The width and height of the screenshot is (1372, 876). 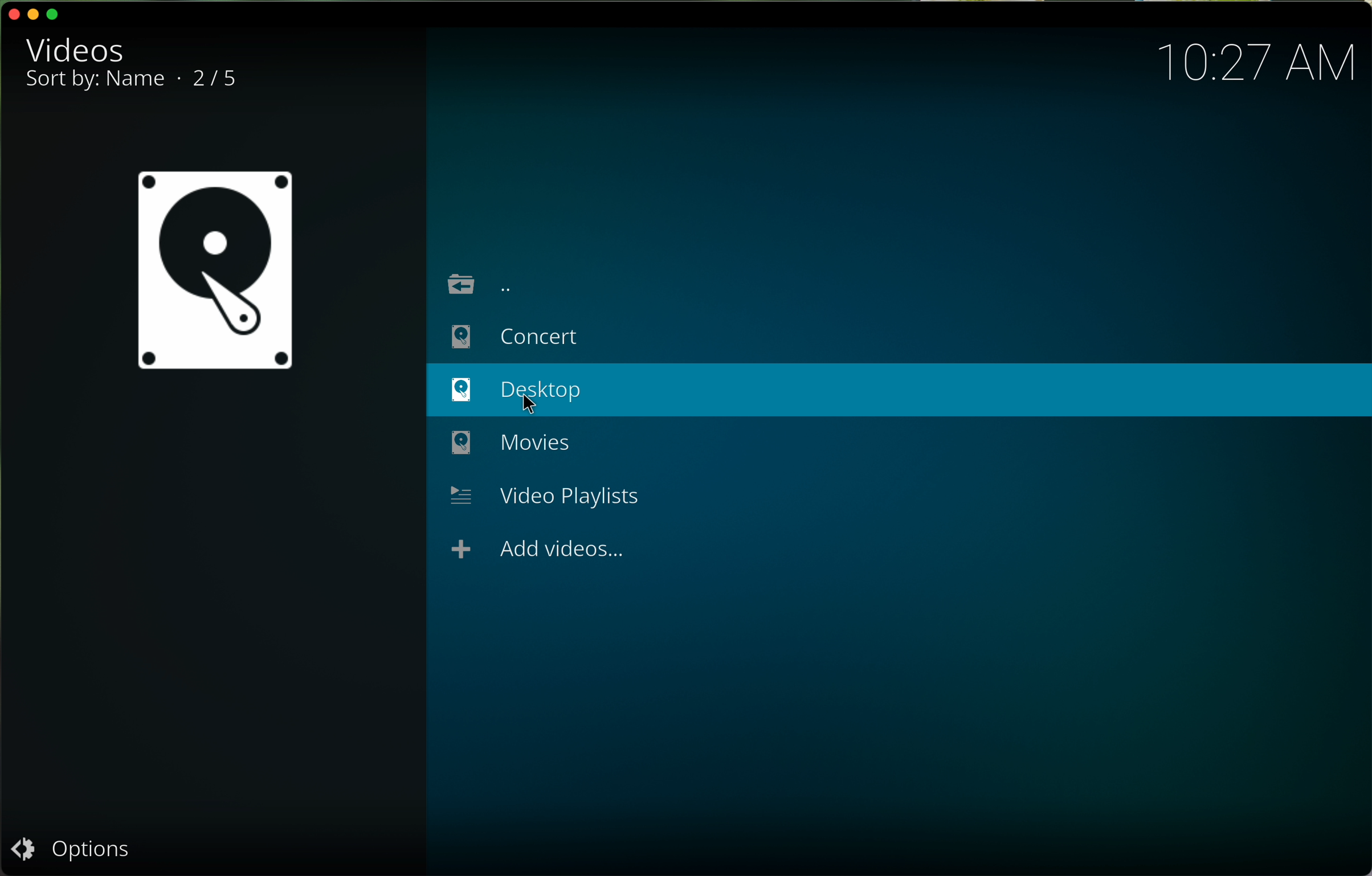 What do you see at coordinates (898, 390) in the screenshot?
I see `click on desktop option` at bounding box center [898, 390].